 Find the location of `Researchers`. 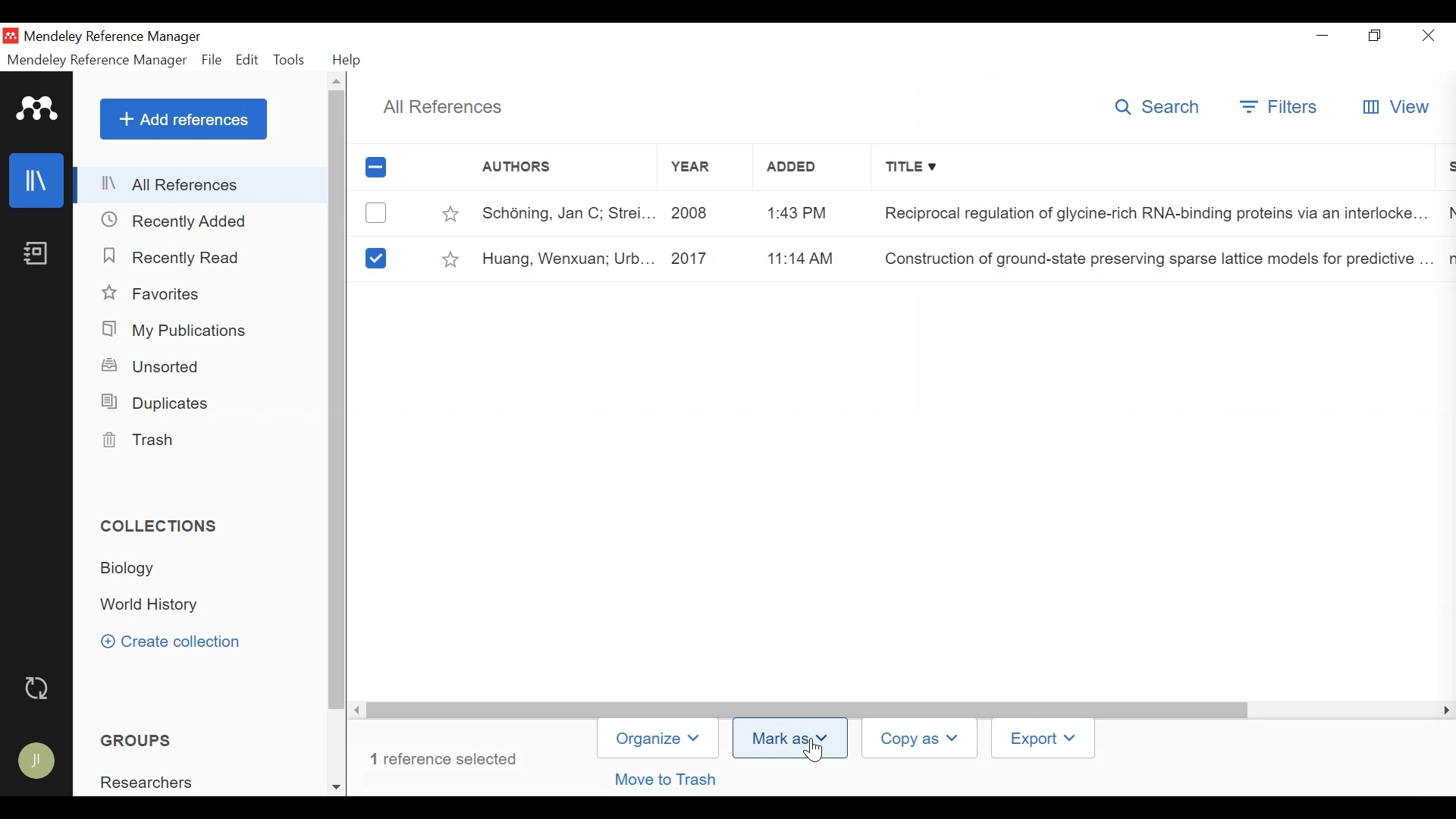

Researchers is located at coordinates (155, 783).